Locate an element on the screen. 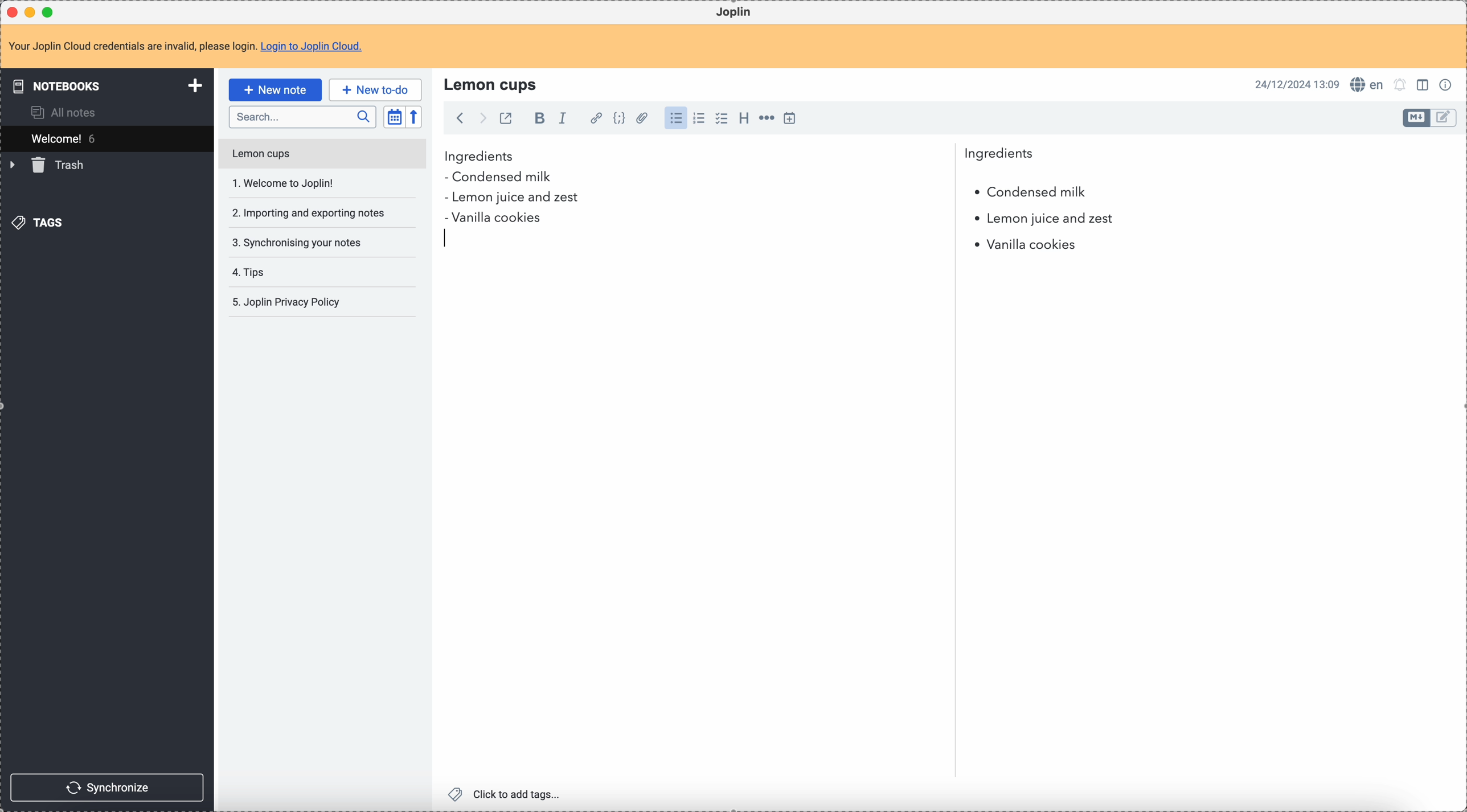 The height and width of the screenshot is (812, 1467). minimize is located at coordinates (32, 13).